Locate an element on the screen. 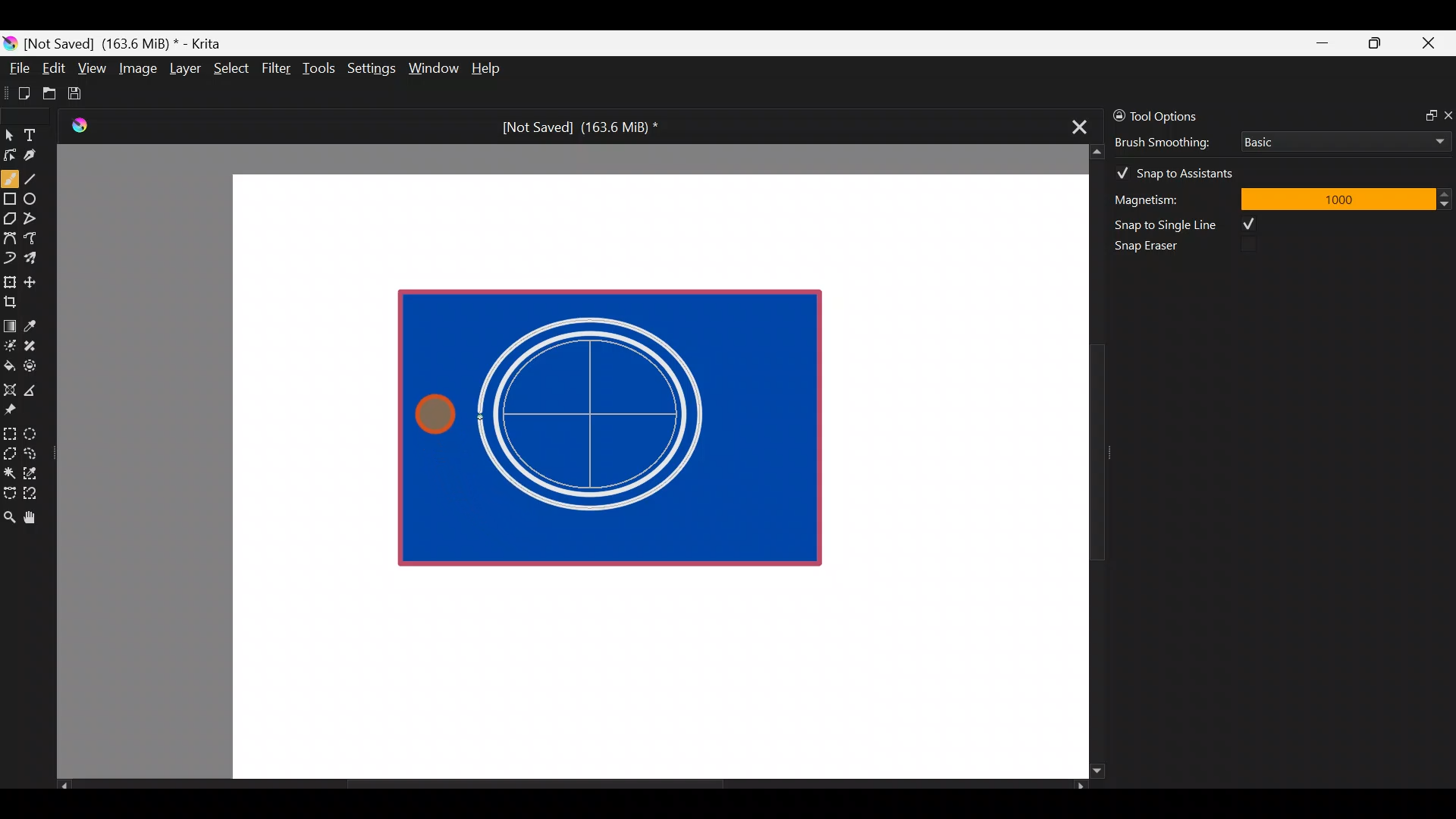 The image size is (1456, 819). Enclose & fill tool is located at coordinates (33, 363).